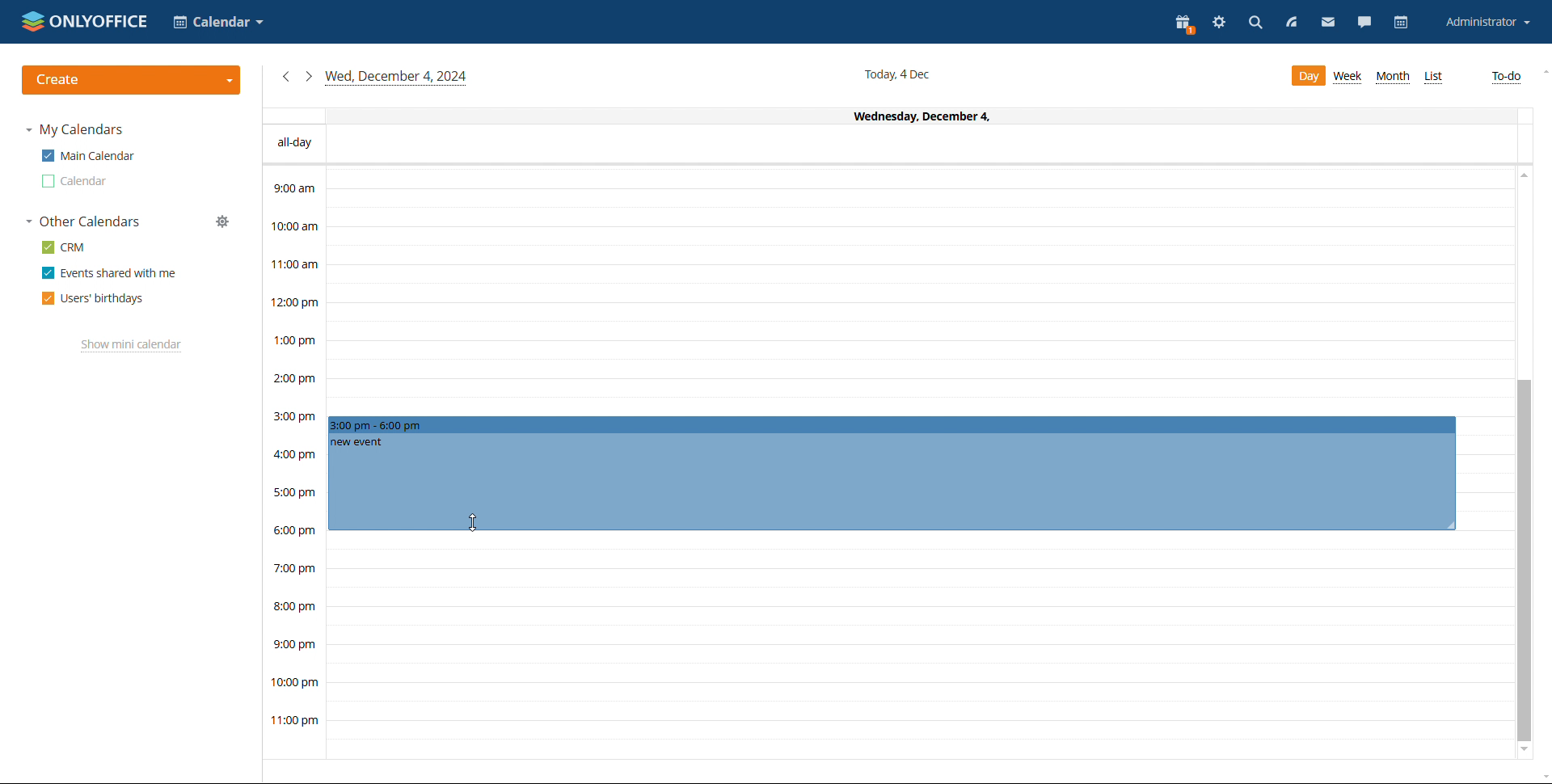 This screenshot has height=784, width=1552. I want to click on calendar, so click(1403, 22).